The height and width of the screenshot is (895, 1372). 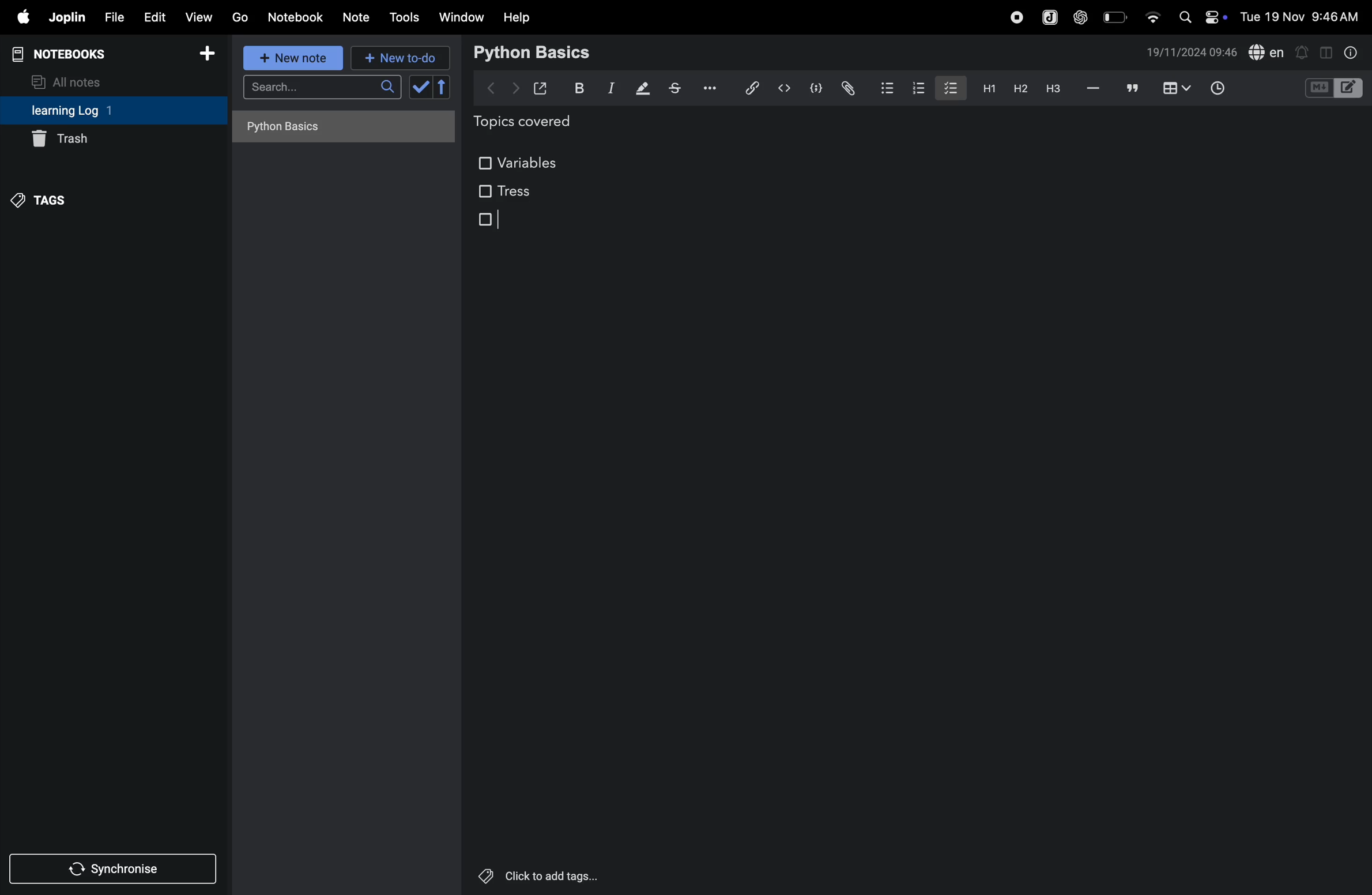 I want to click on spell check, so click(x=1267, y=53).